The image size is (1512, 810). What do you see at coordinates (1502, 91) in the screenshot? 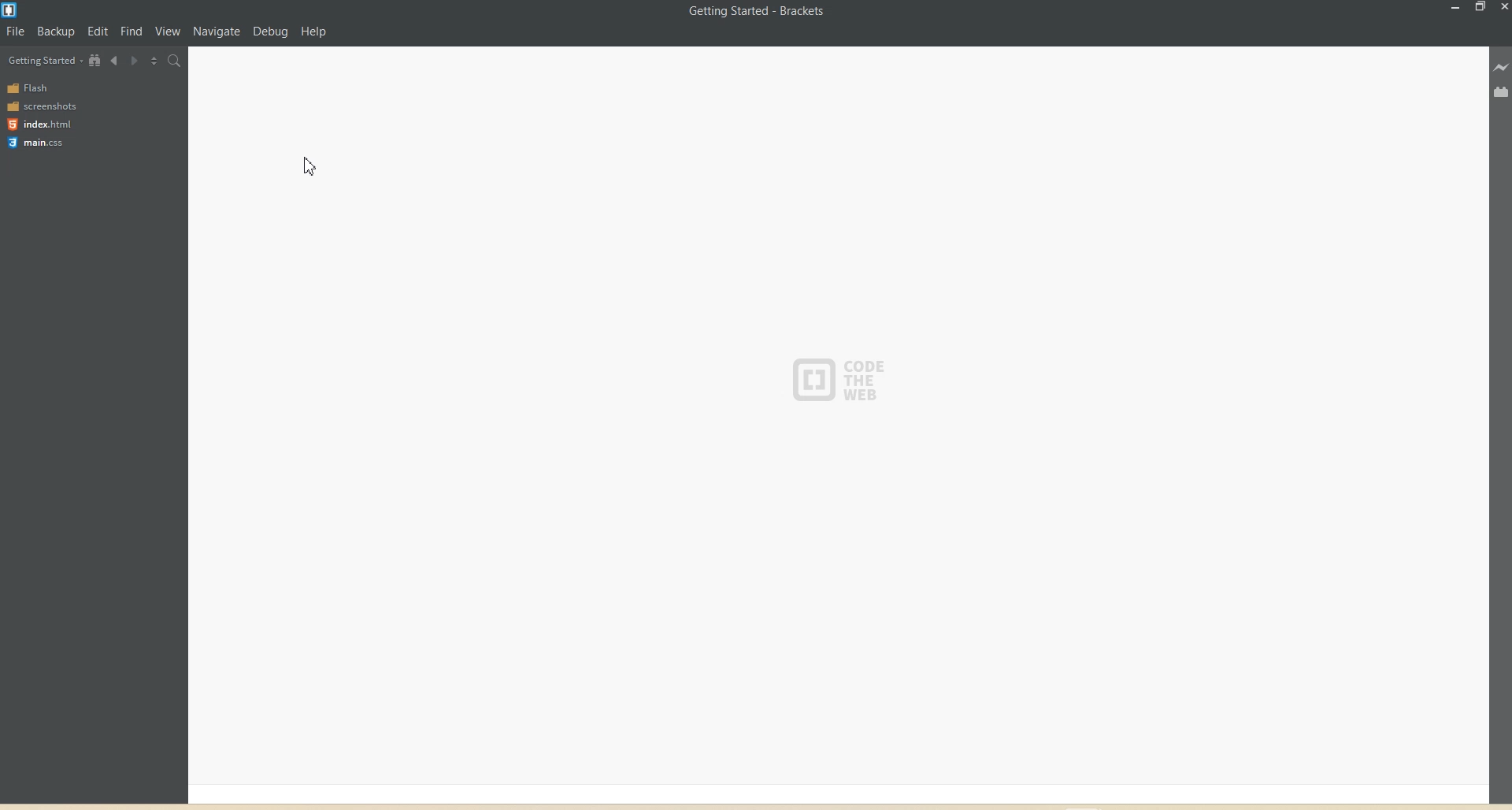
I see `Extension manager` at bounding box center [1502, 91].